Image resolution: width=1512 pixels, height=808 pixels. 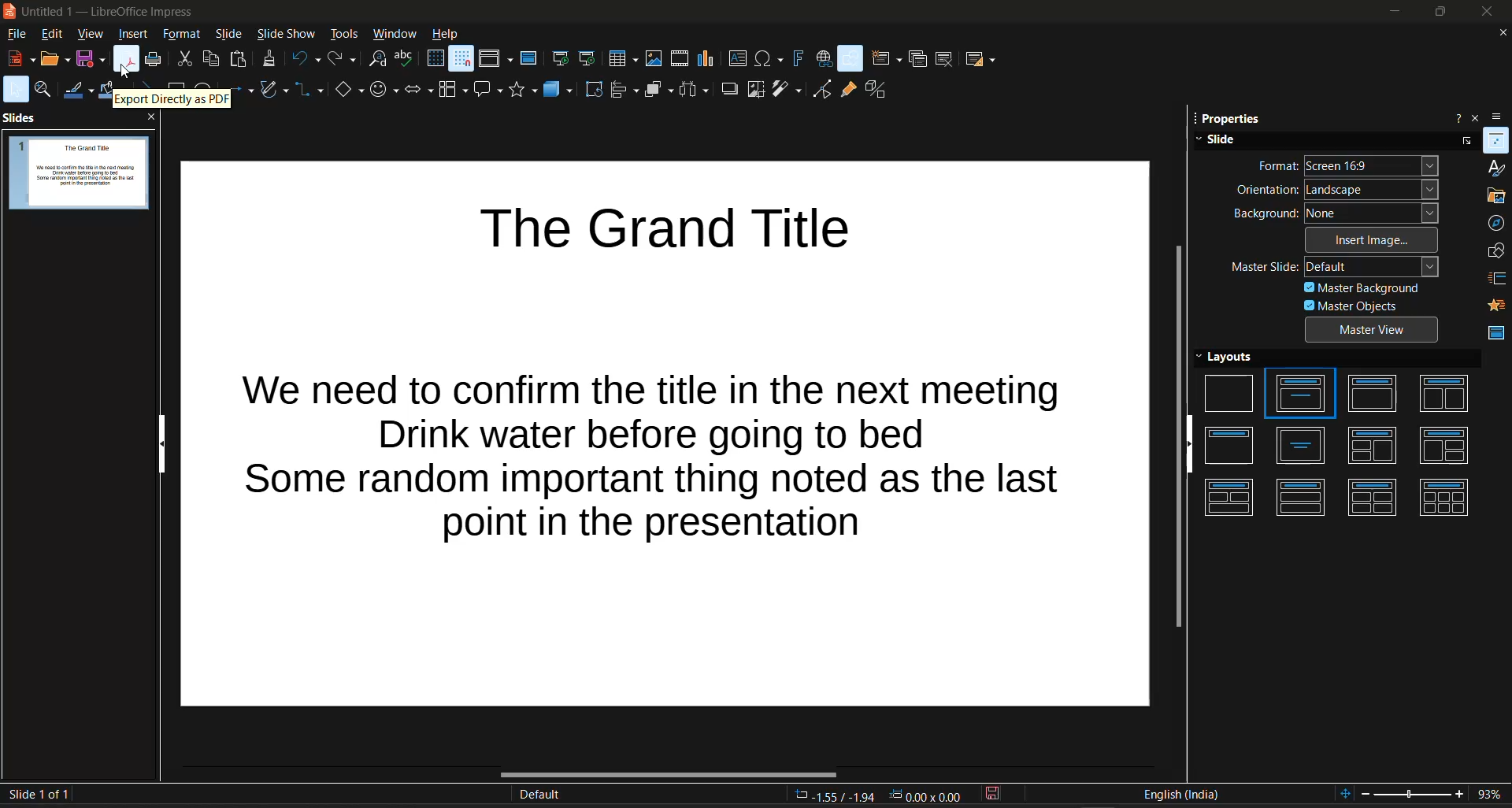 What do you see at coordinates (736, 57) in the screenshot?
I see `insert text box` at bounding box center [736, 57].